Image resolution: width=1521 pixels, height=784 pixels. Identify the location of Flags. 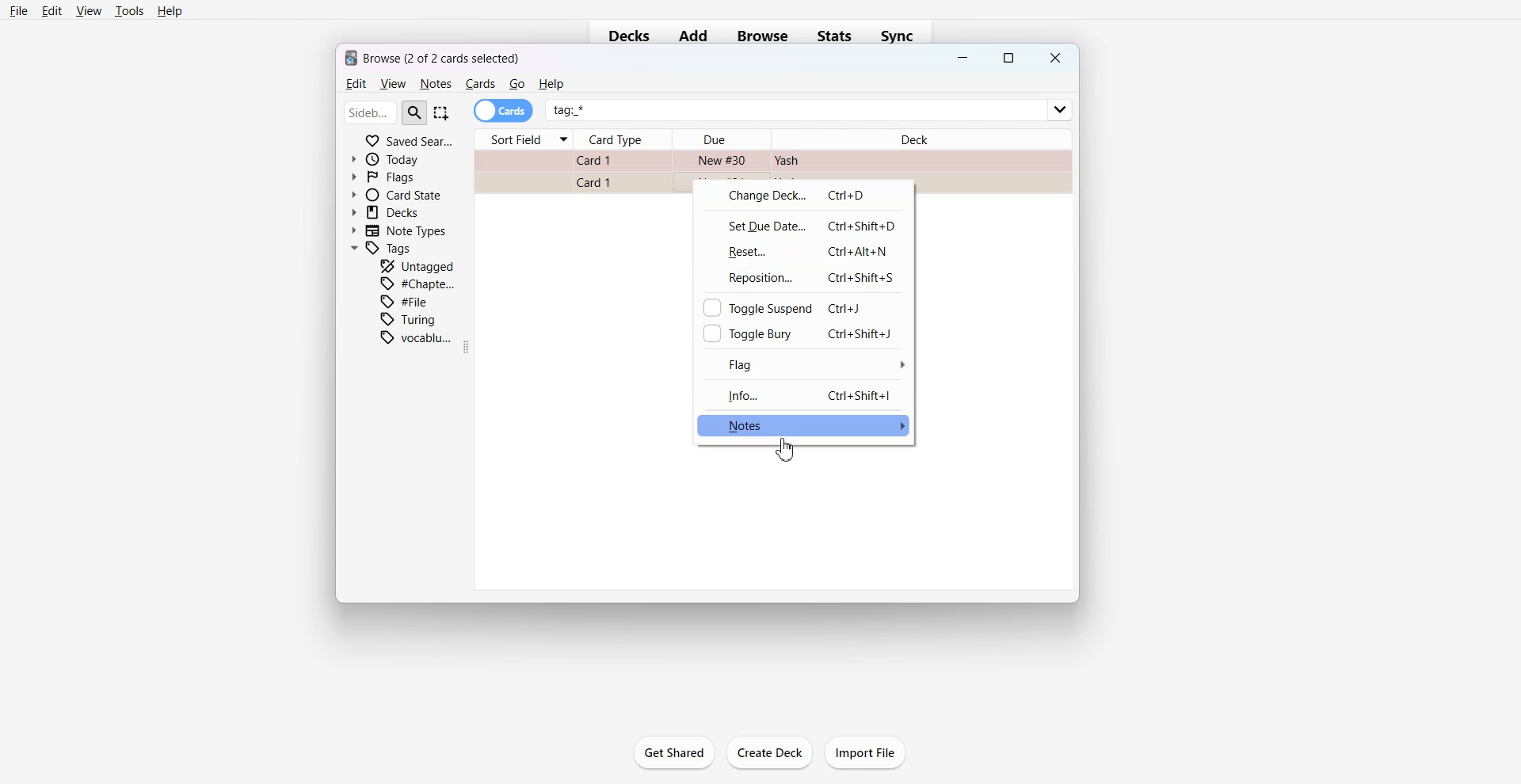
(383, 176).